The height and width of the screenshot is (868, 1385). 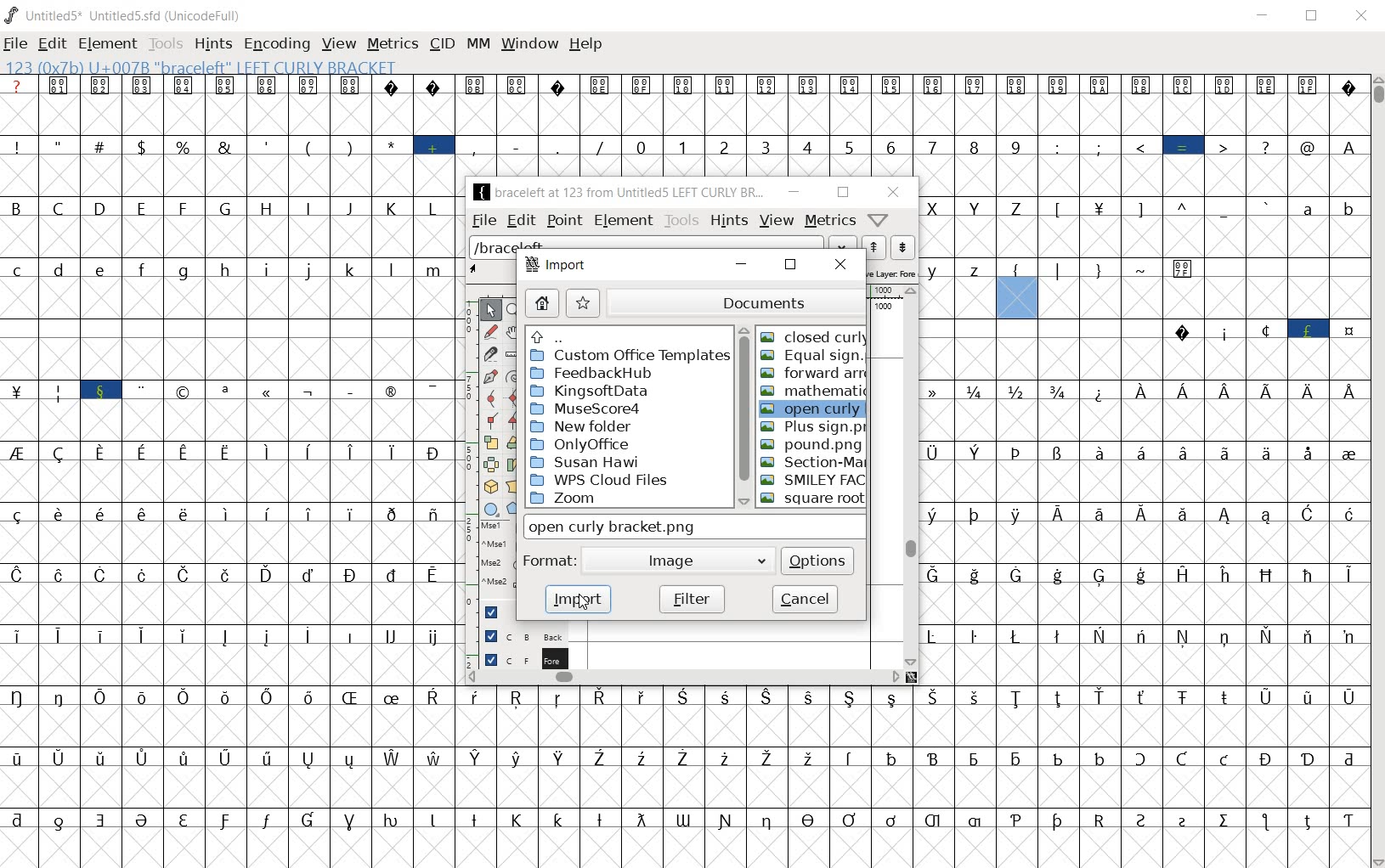 What do you see at coordinates (876, 247) in the screenshot?
I see `show the next word on the list` at bounding box center [876, 247].